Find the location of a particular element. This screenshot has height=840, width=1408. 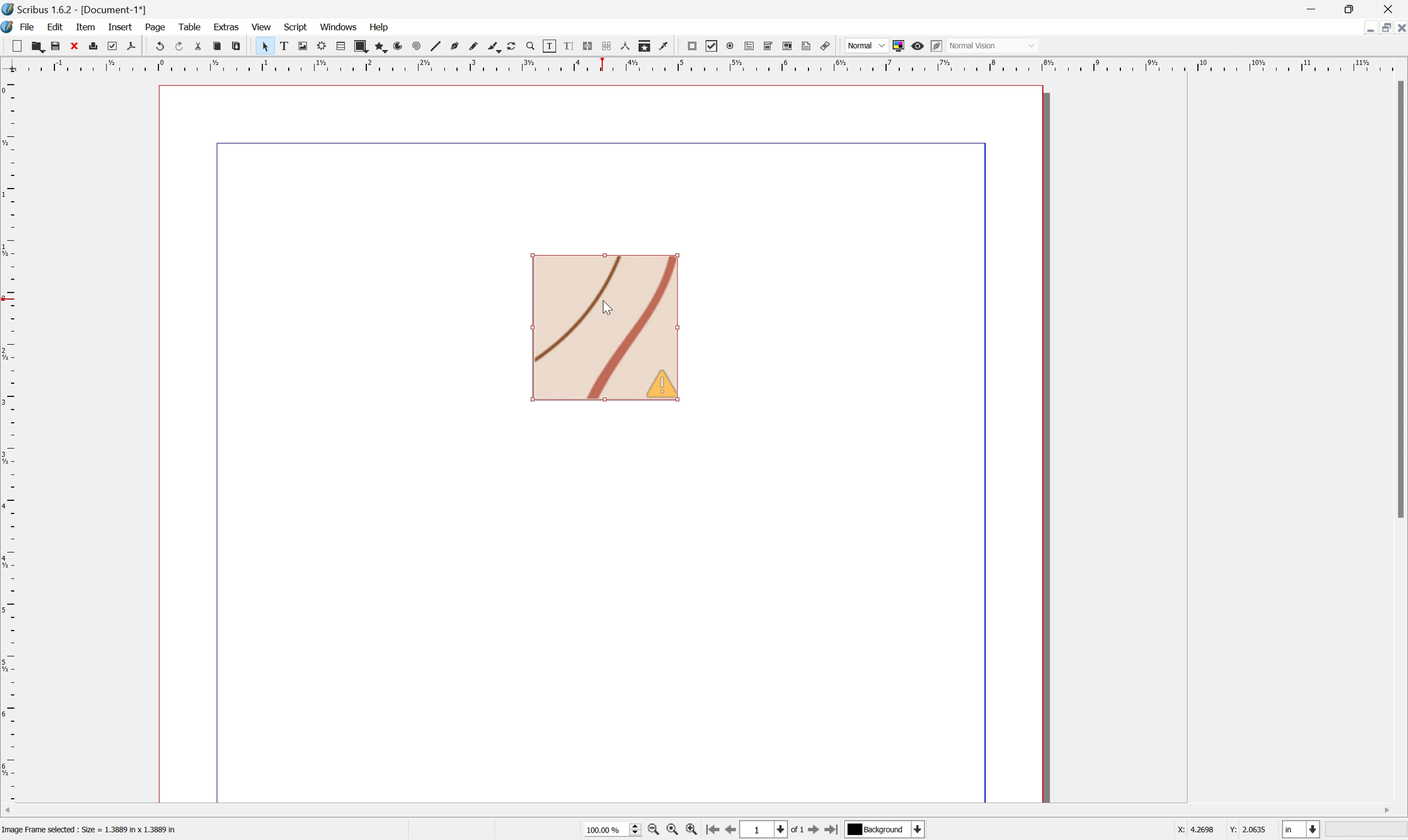

Page is located at coordinates (154, 27).